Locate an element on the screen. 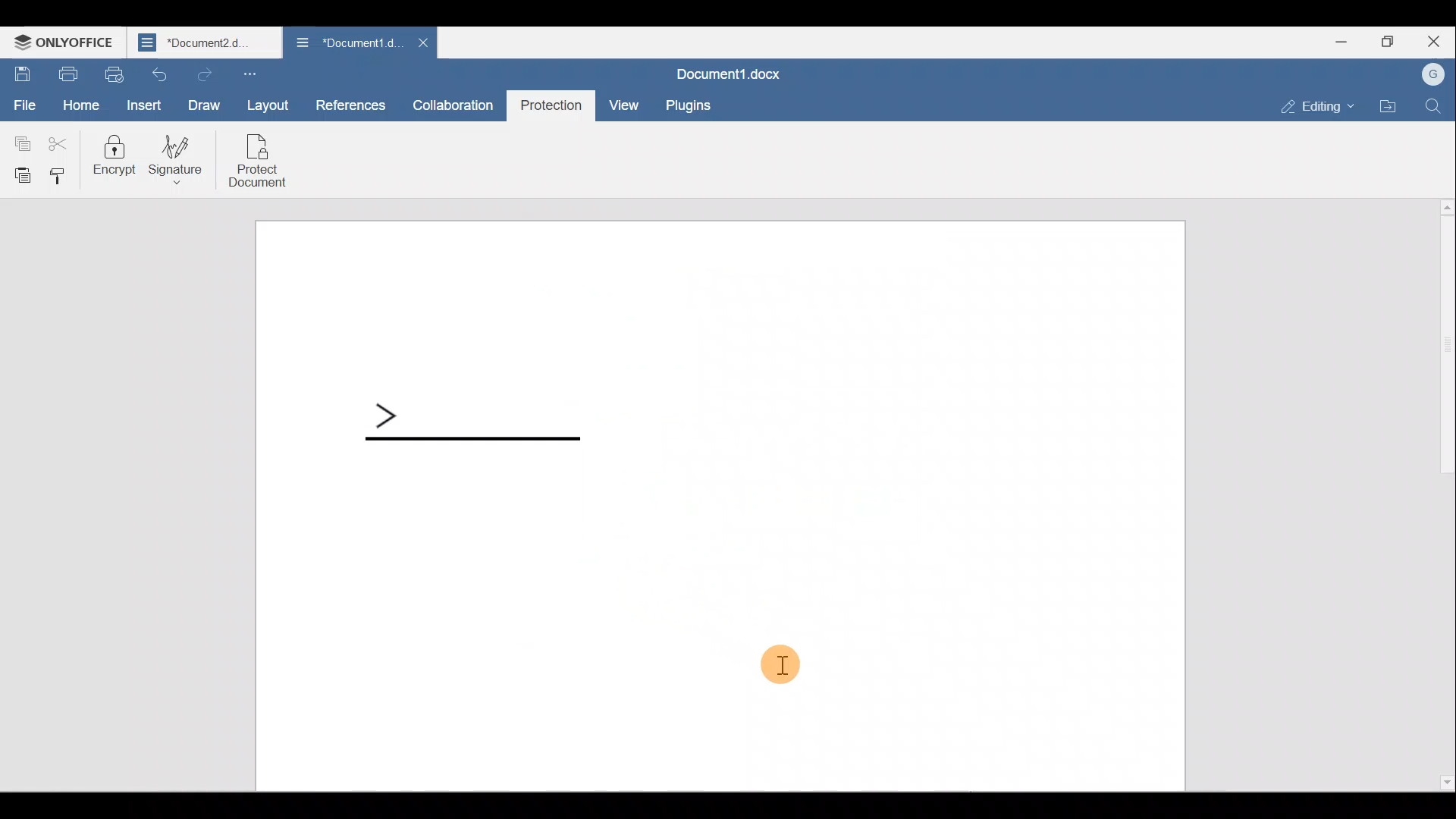 This screenshot has height=819, width=1456. View is located at coordinates (626, 104).